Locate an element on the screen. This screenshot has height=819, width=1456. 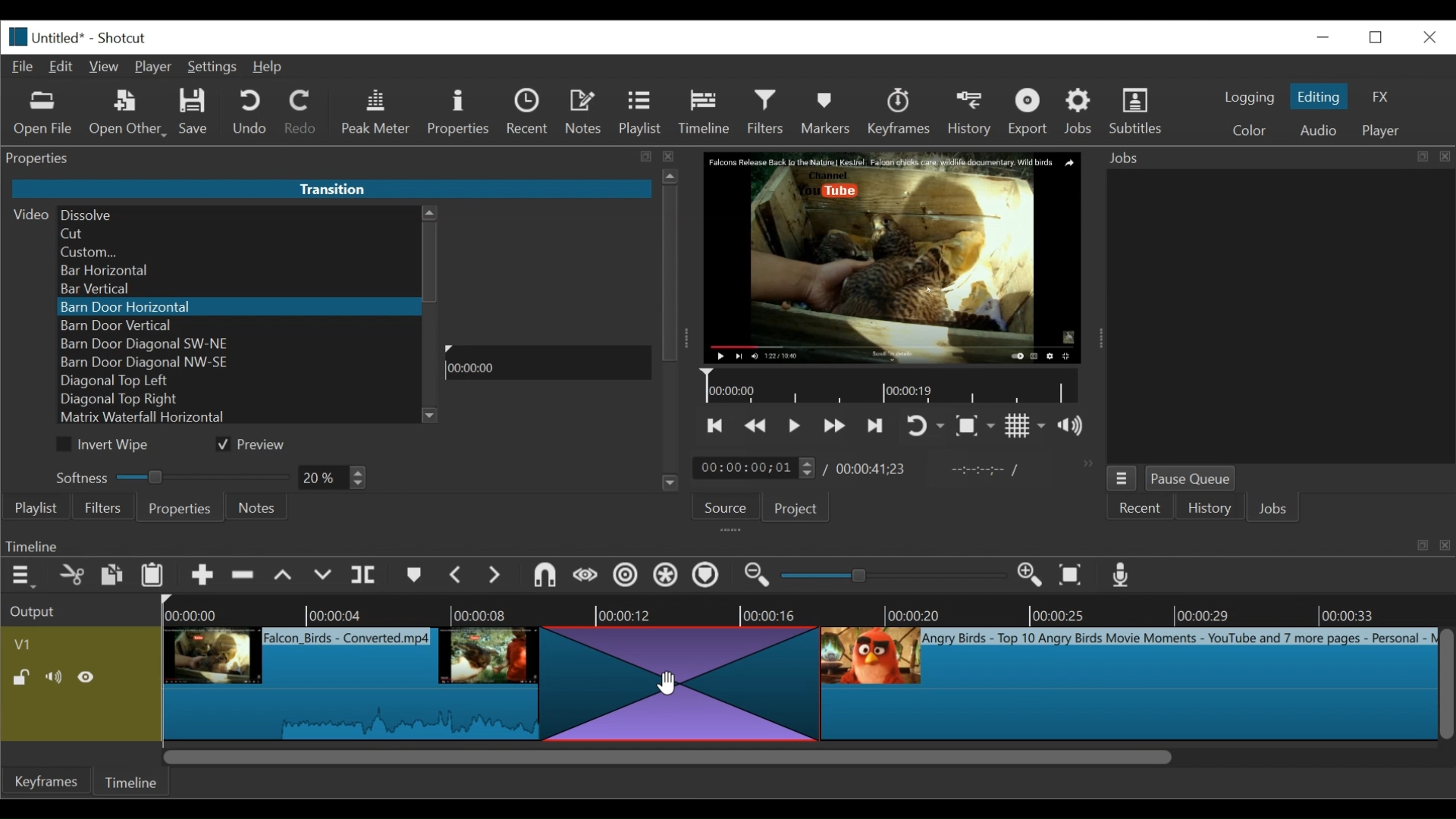
(un)lock track is located at coordinates (25, 678).